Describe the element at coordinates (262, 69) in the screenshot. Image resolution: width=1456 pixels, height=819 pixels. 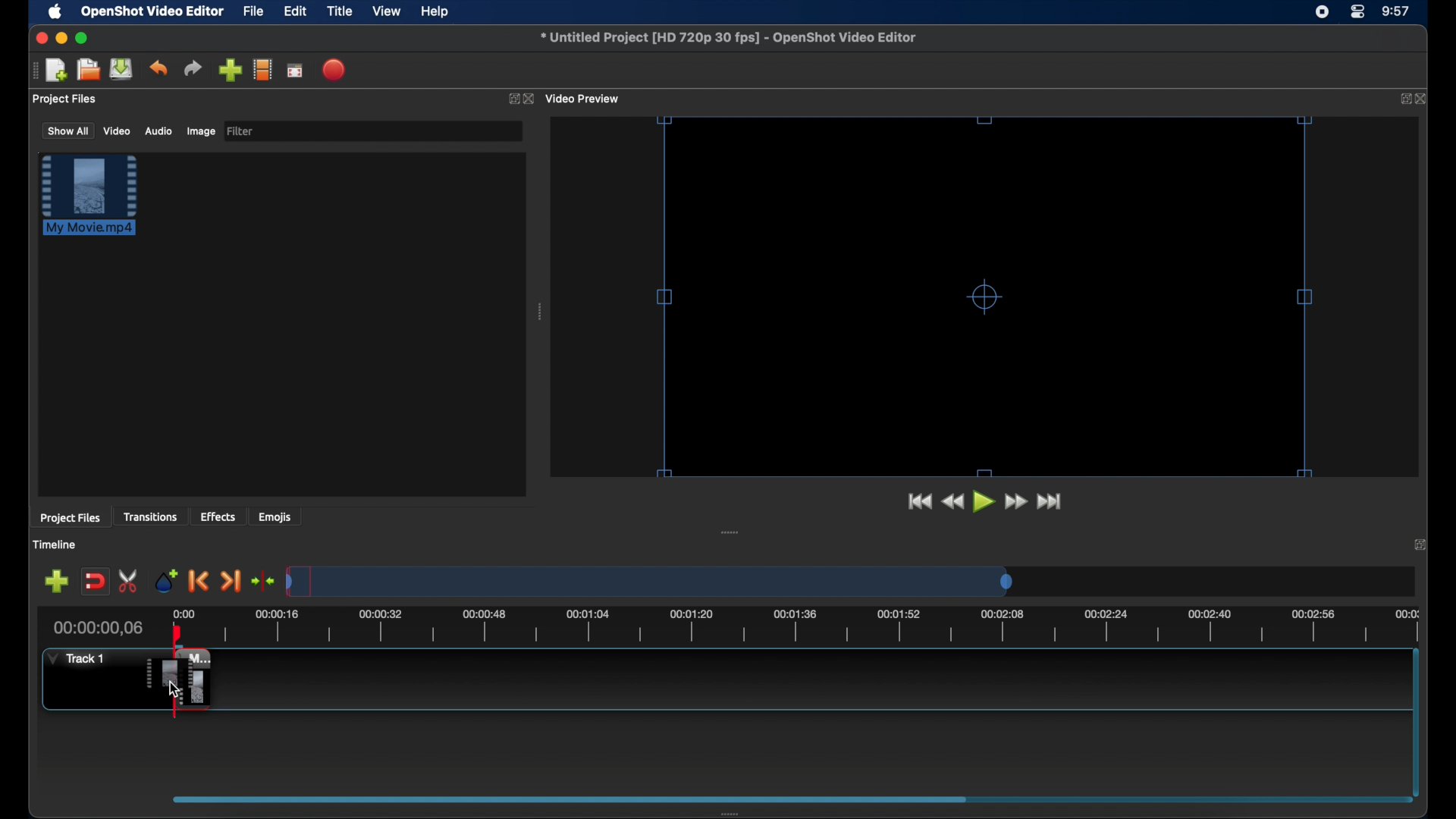
I see `explore profiles` at that location.